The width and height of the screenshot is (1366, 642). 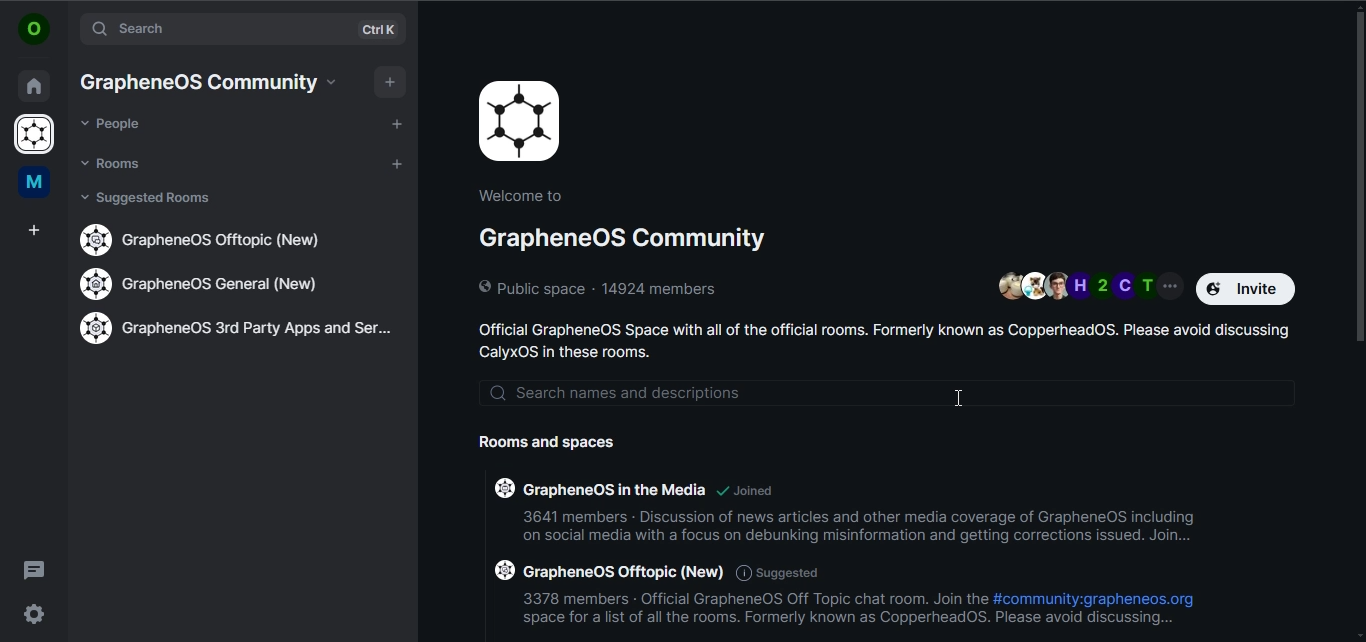 What do you see at coordinates (209, 283) in the screenshot?
I see `GrapheneOS General(New)` at bounding box center [209, 283].